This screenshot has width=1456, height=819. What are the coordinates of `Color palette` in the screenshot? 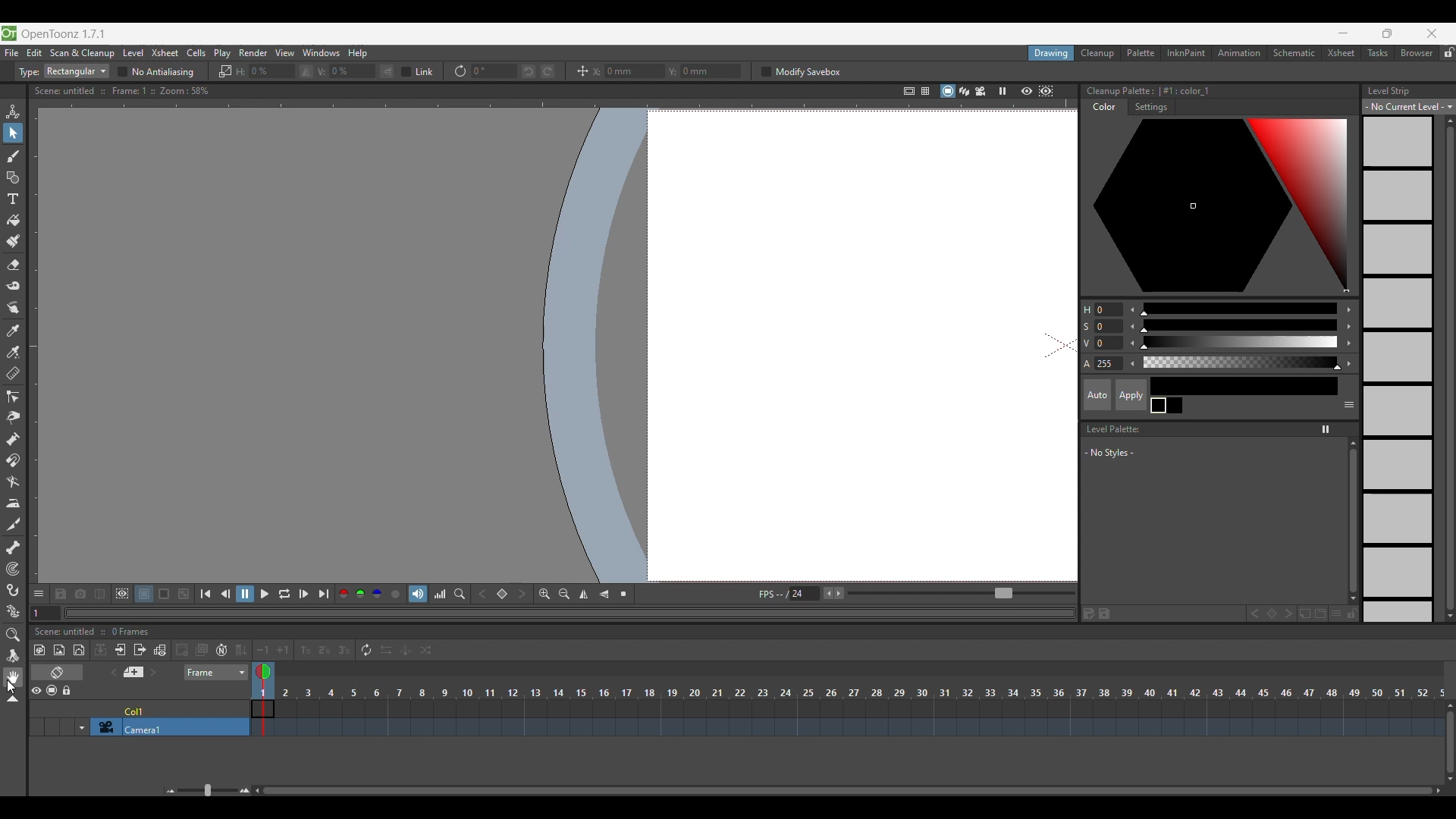 It's located at (1216, 206).